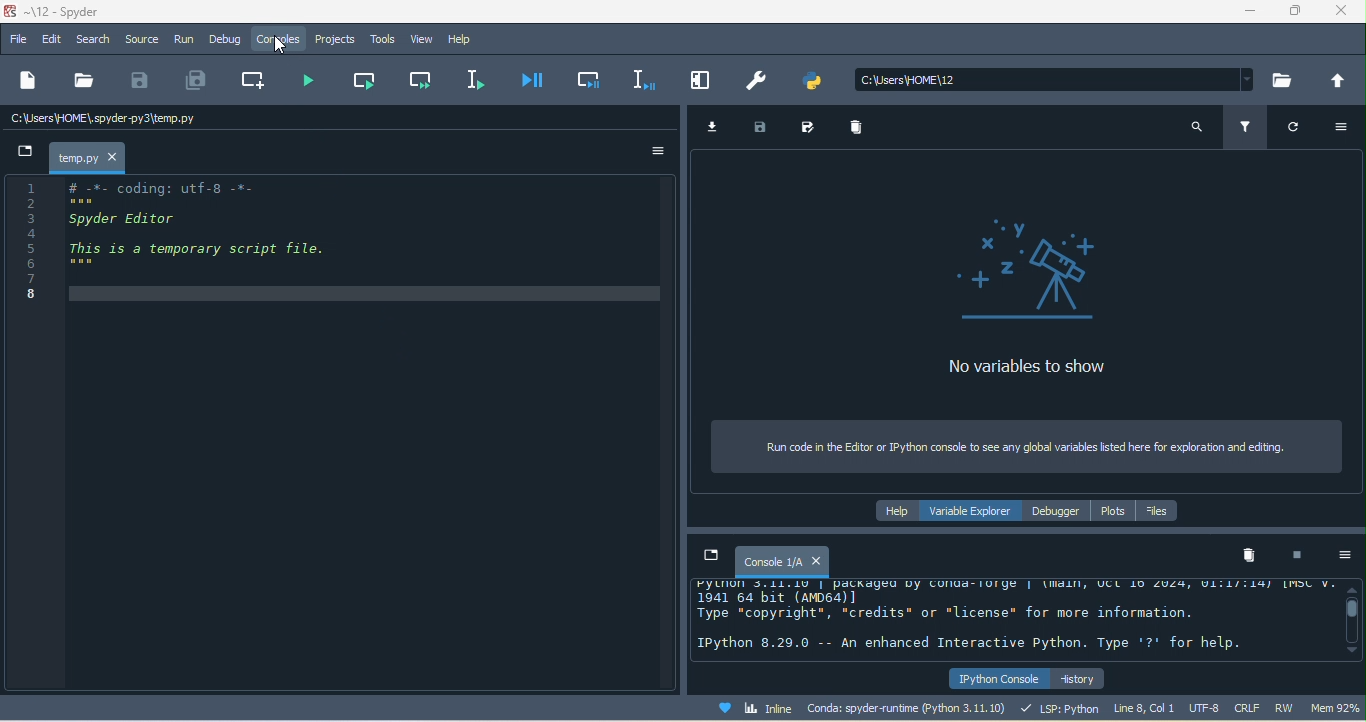 Image resolution: width=1366 pixels, height=722 pixels. Describe the element at coordinates (1282, 707) in the screenshot. I see `rw` at that location.